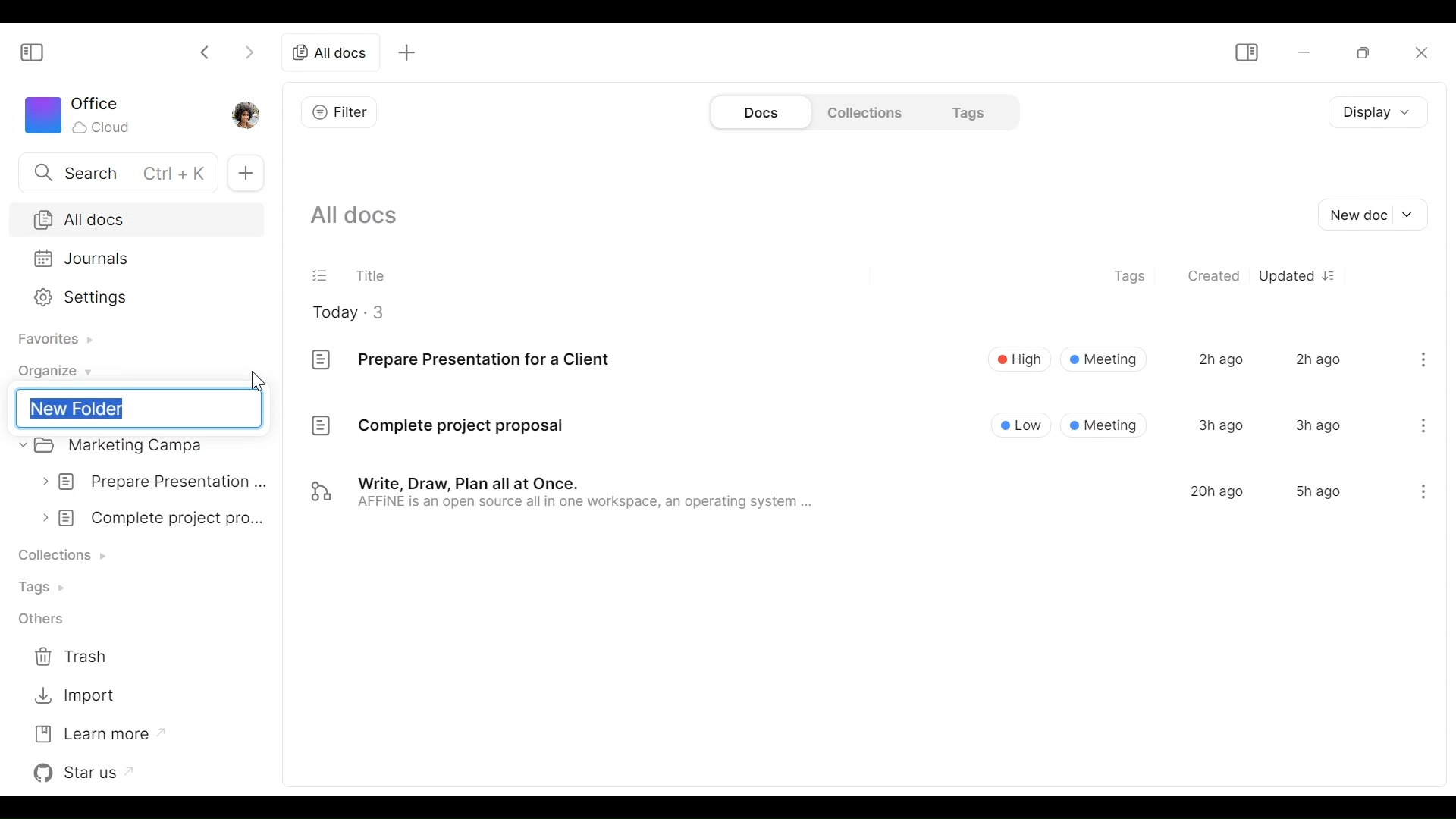 The image size is (1456, 819). What do you see at coordinates (1317, 491) in the screenshot?
I see `5h ago` at bounding box center [1317, 491].